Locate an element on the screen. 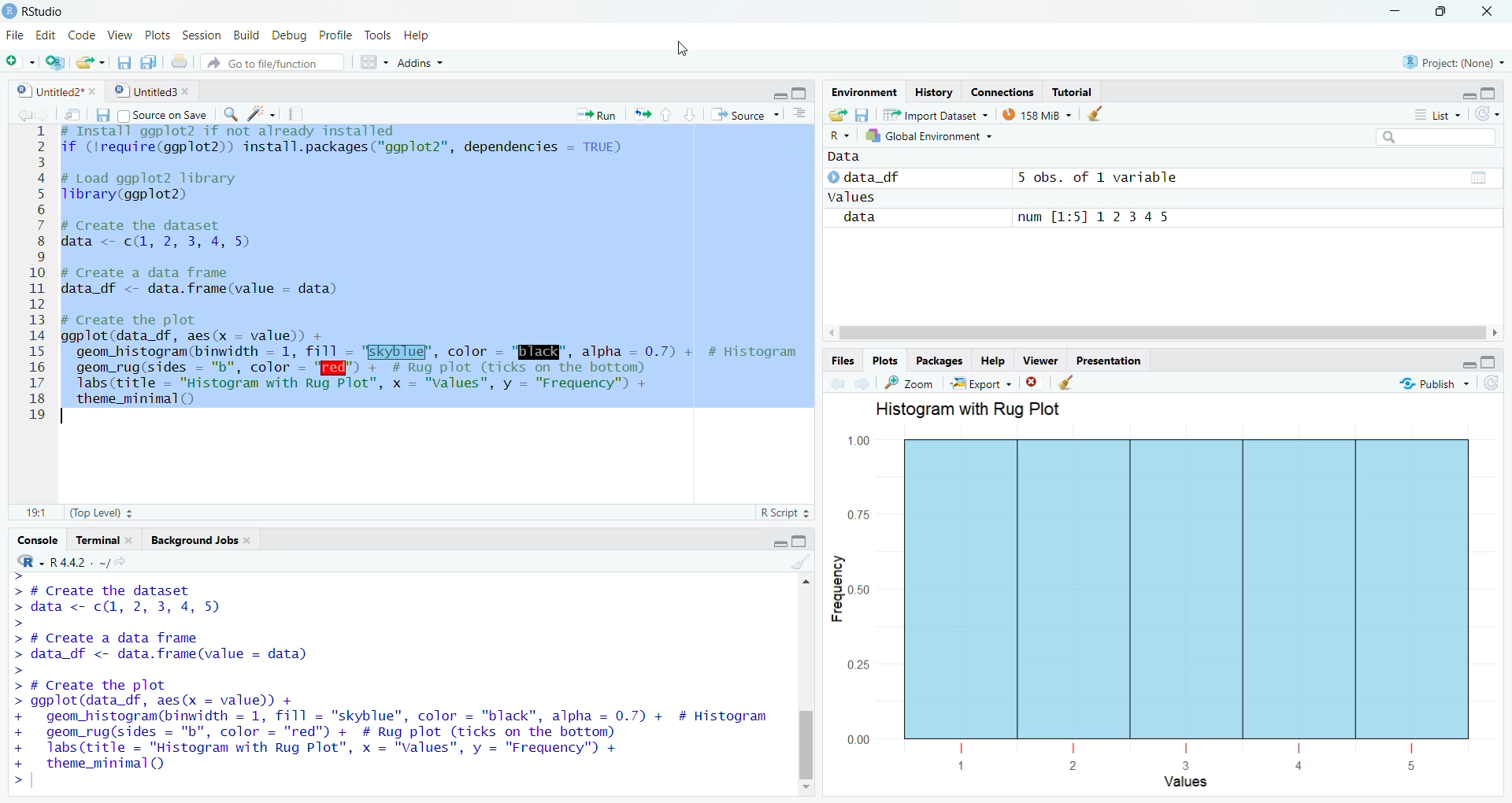  code tools is located at coordinates (259, 108).